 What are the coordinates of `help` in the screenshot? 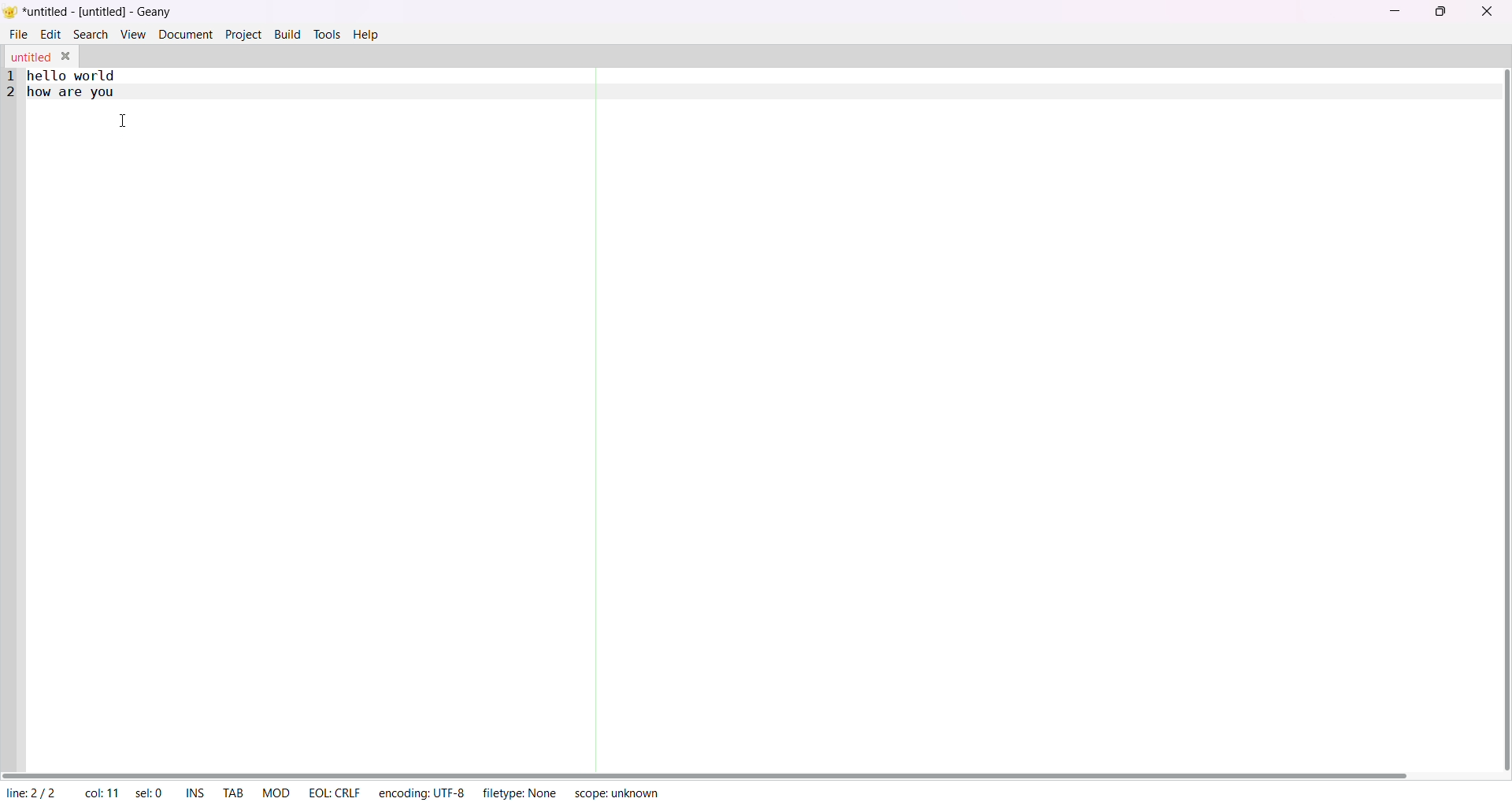 It's located at (366, 35).